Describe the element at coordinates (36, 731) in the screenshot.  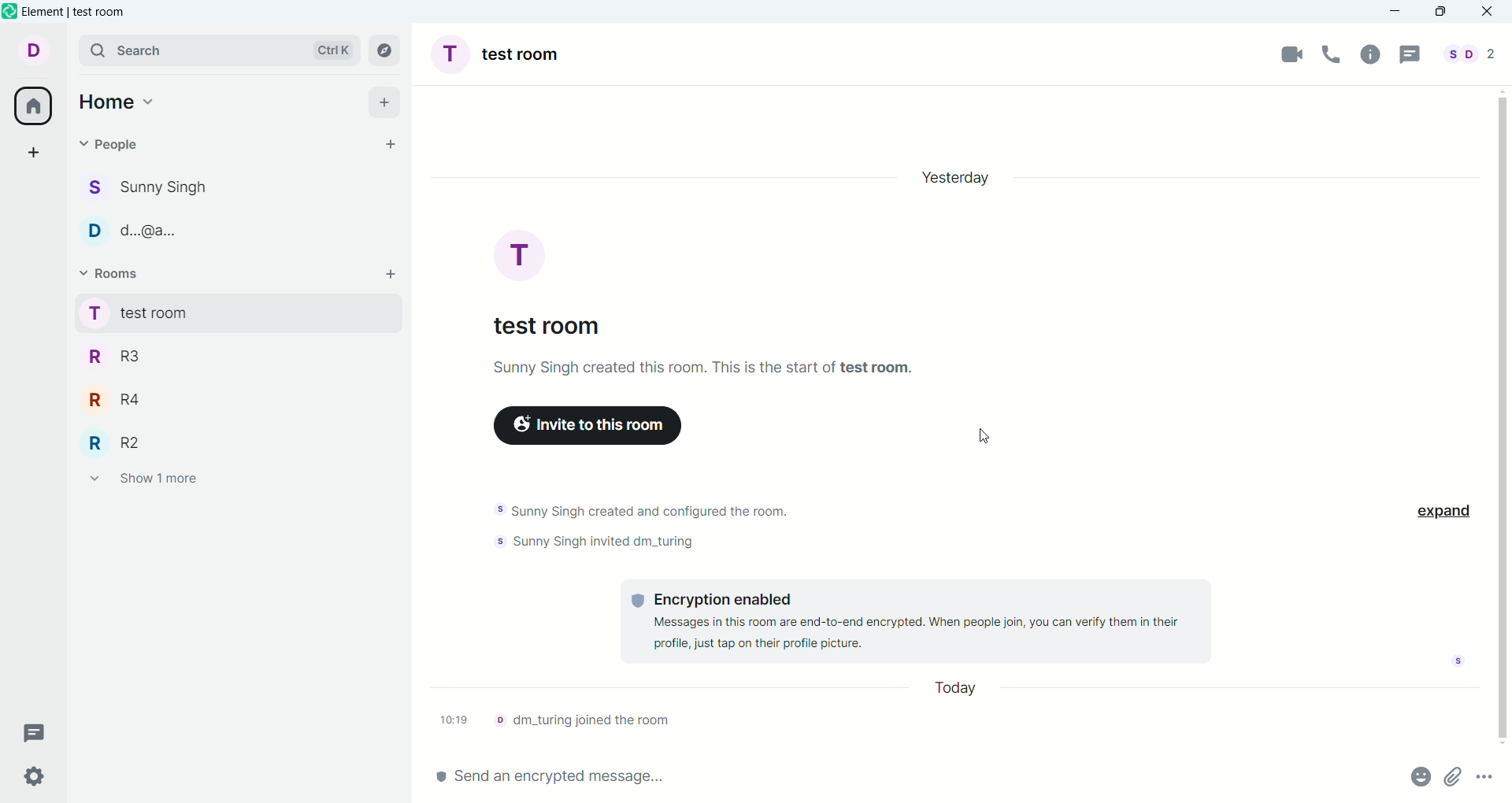
I see `threads` at that location.